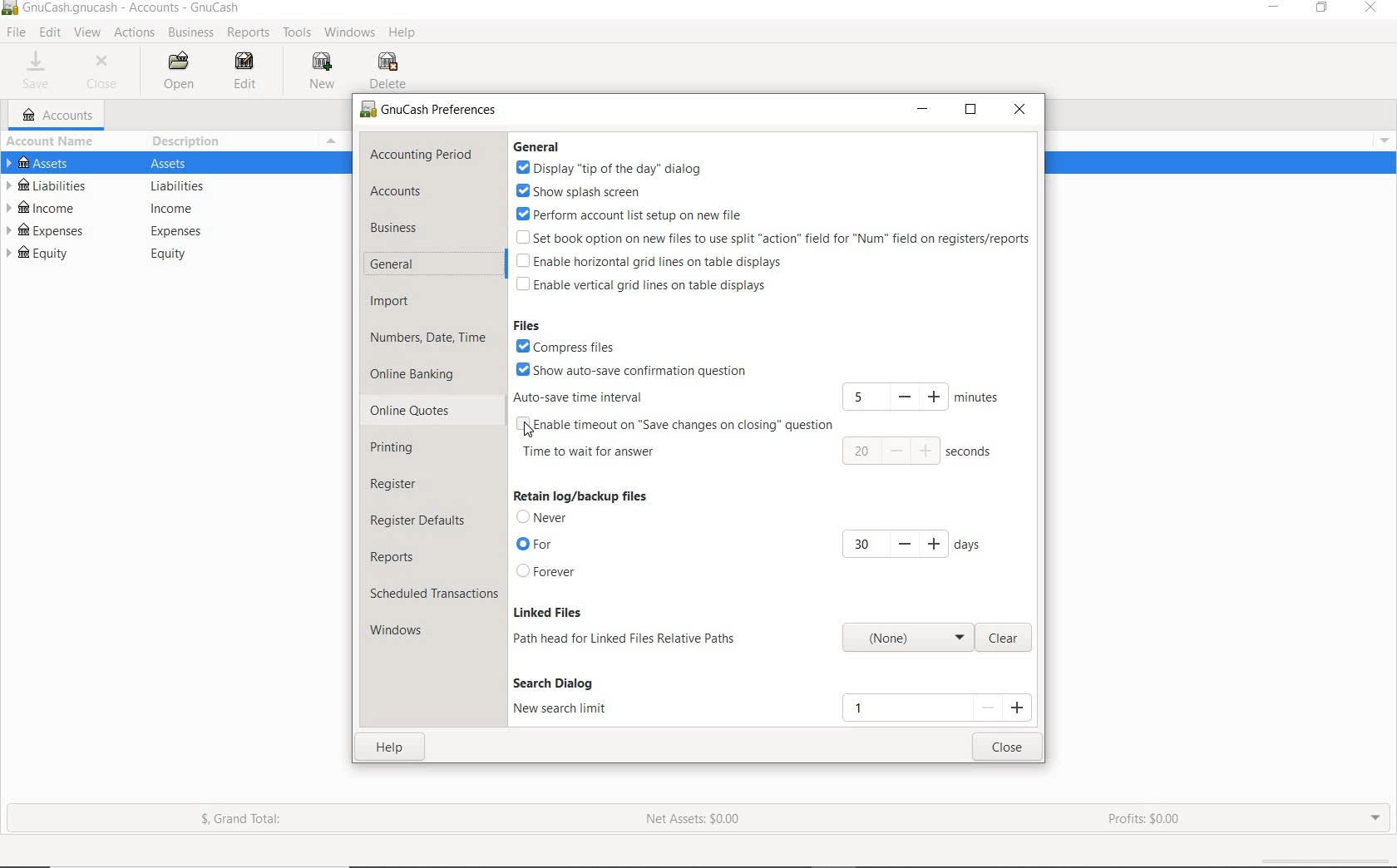  Describe the element at coordinates (185, 144) in the screenshot. I see `DESCRIPTION` at that location.